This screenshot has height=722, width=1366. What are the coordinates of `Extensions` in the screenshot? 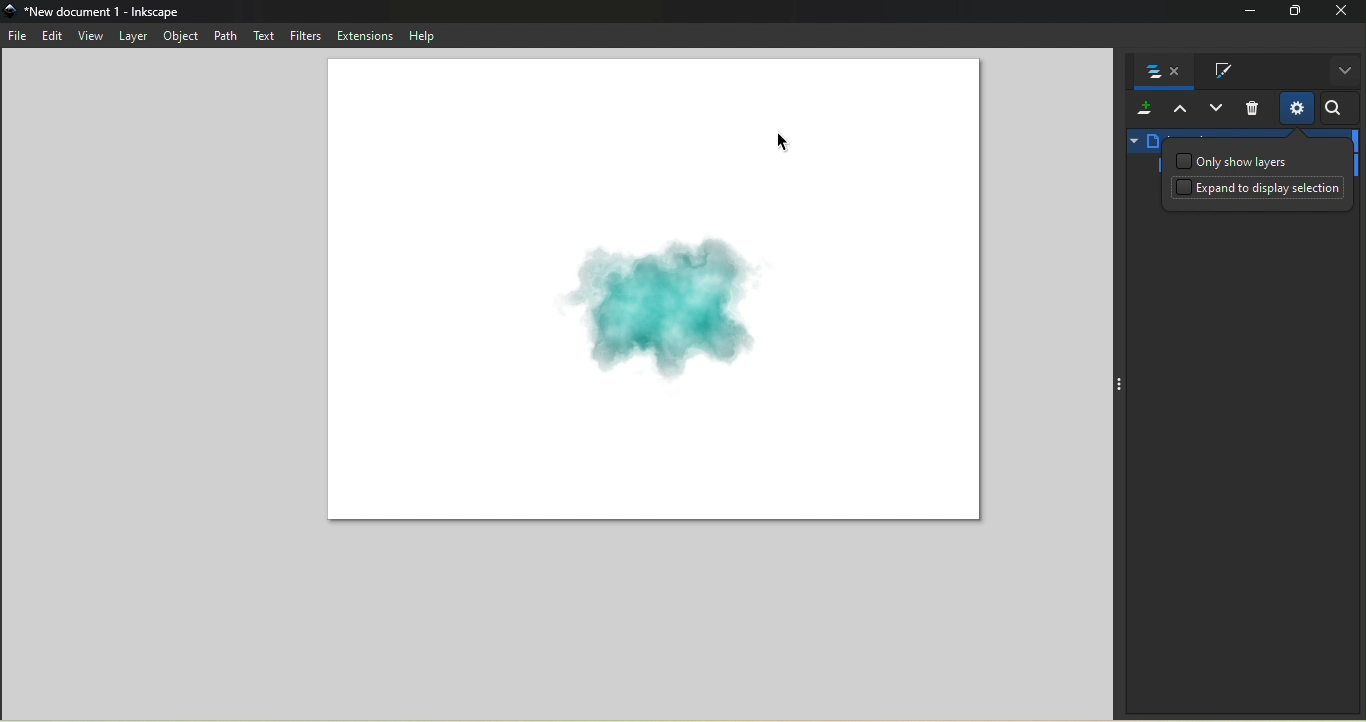 It's located at (364, 35).